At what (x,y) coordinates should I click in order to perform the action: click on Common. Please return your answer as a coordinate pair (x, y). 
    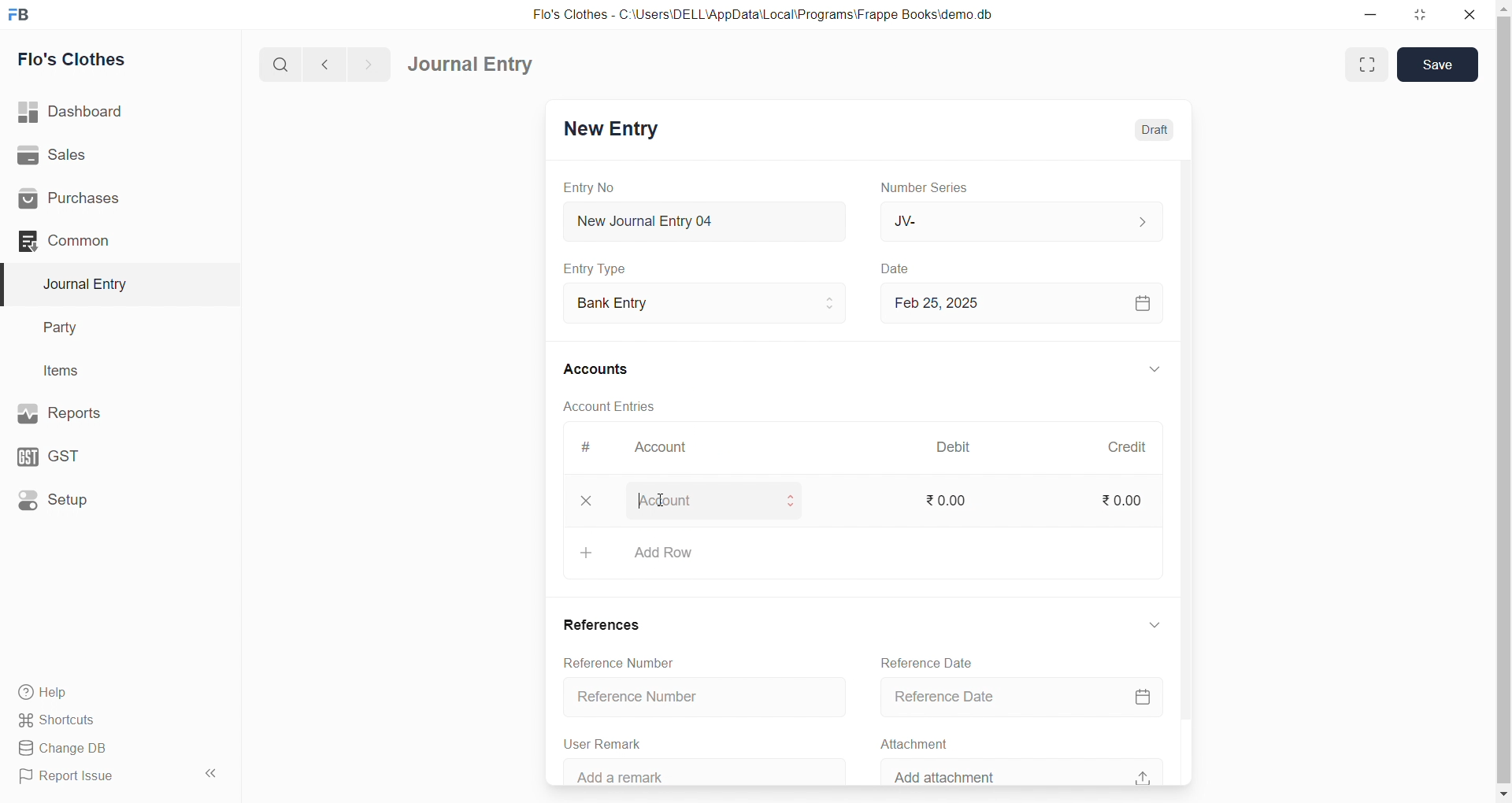
    Looking at the image, I should click on (106, 240).